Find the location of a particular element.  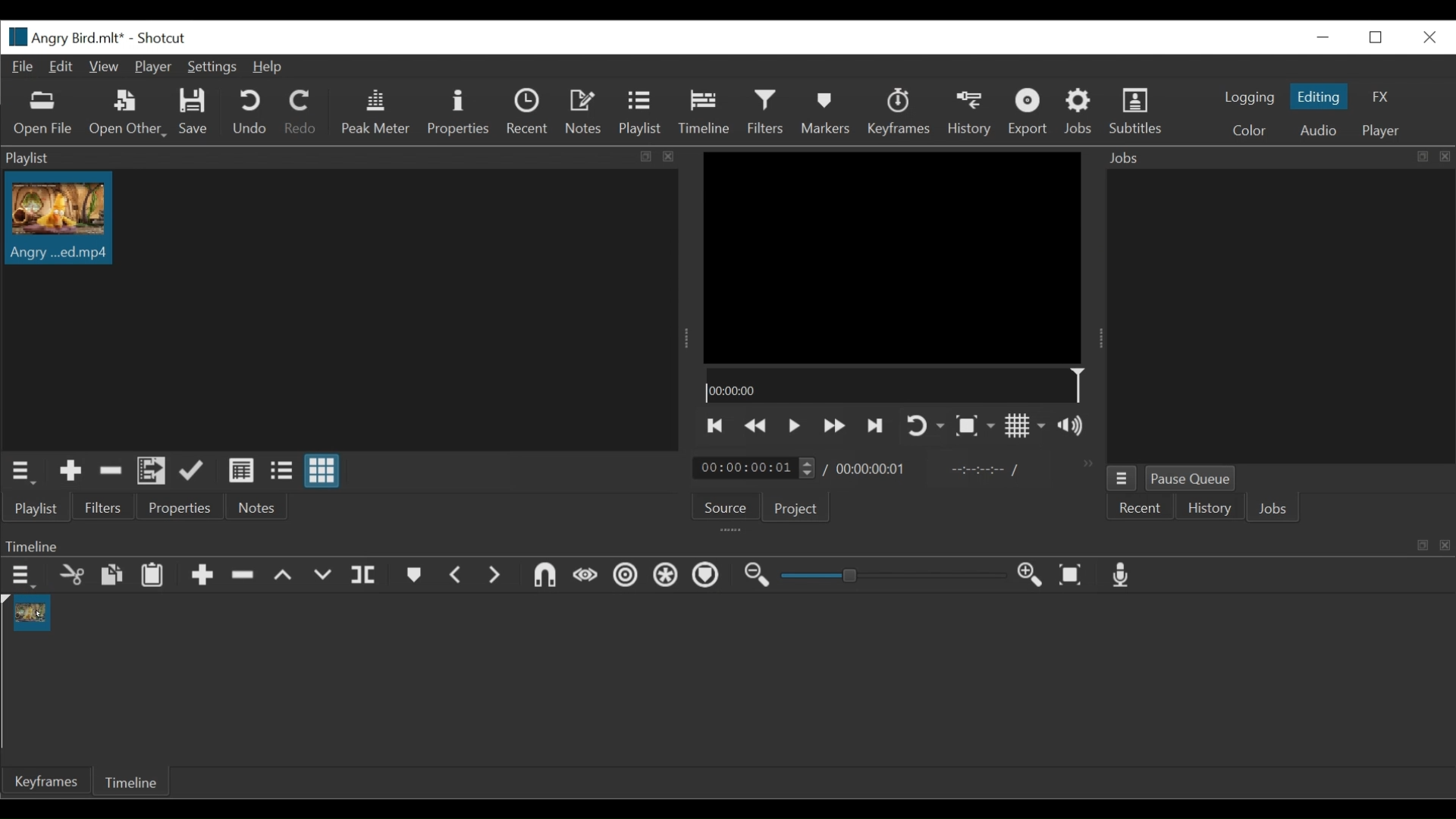

Ripple Markers is located at coordinates (709, 578).